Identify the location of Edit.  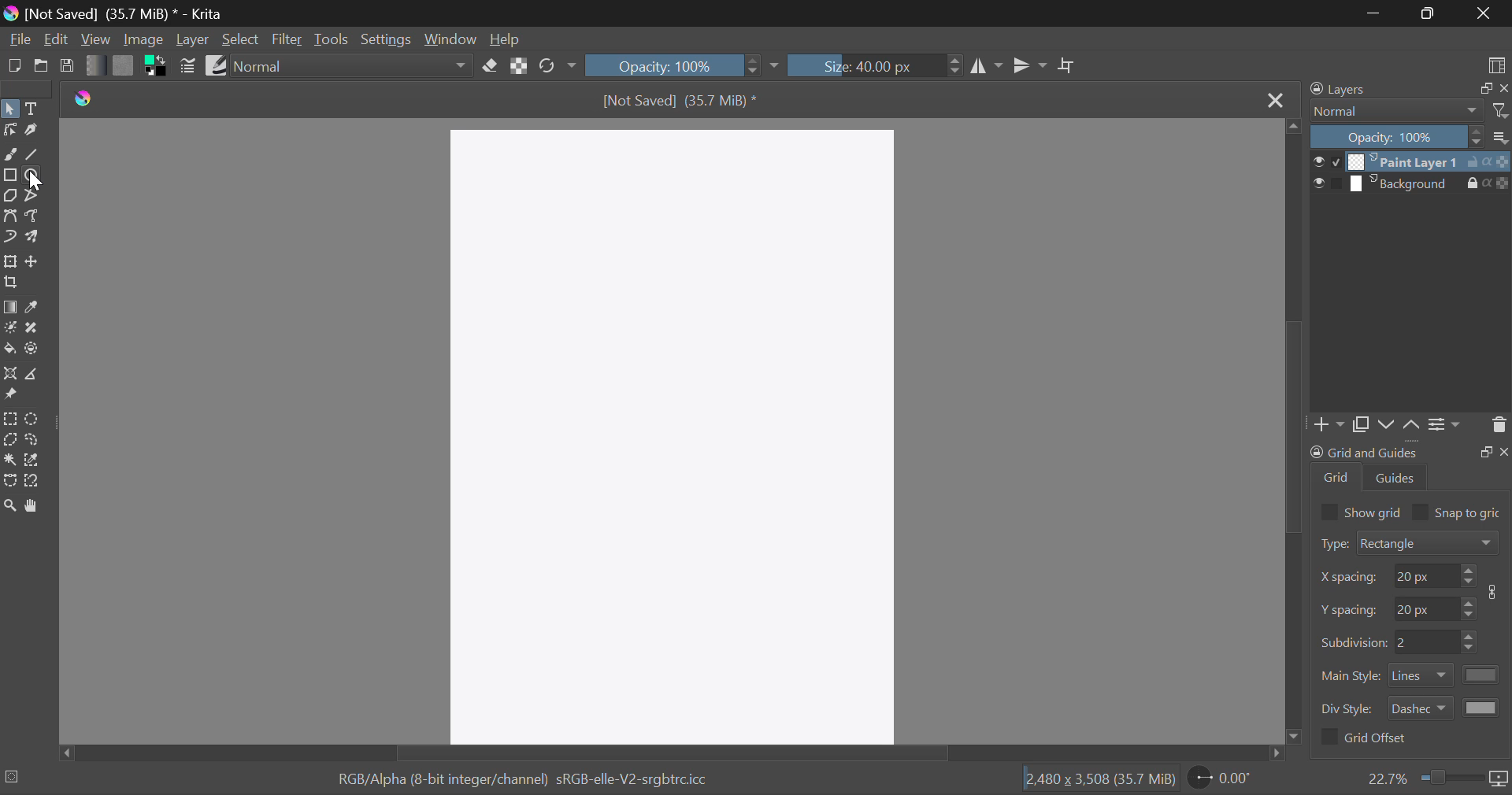
(57, 39).